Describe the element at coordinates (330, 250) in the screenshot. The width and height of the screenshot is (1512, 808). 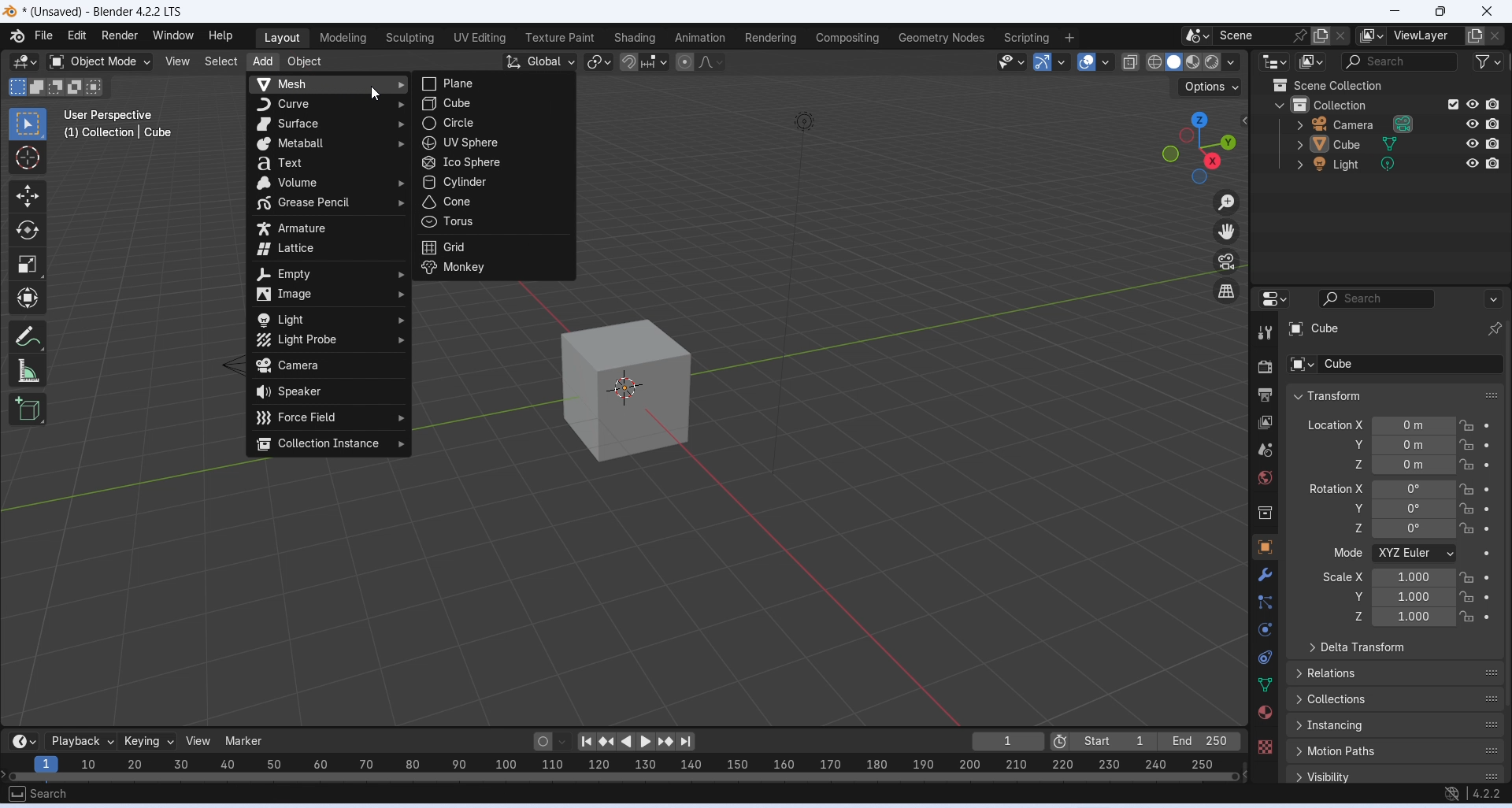
I see `lattice` at that location.